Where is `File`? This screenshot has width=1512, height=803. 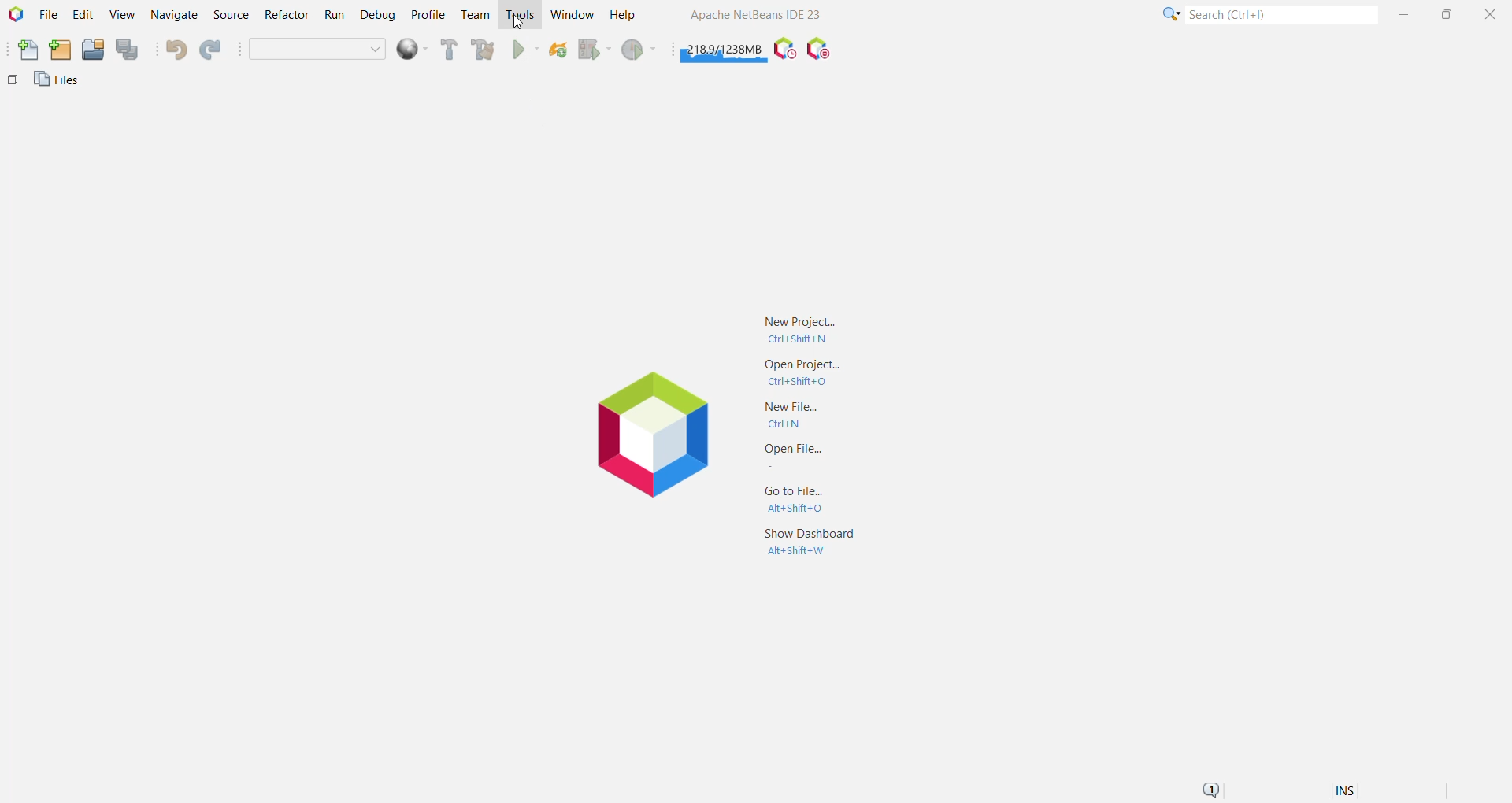 File is located at coordinates (48, 15).